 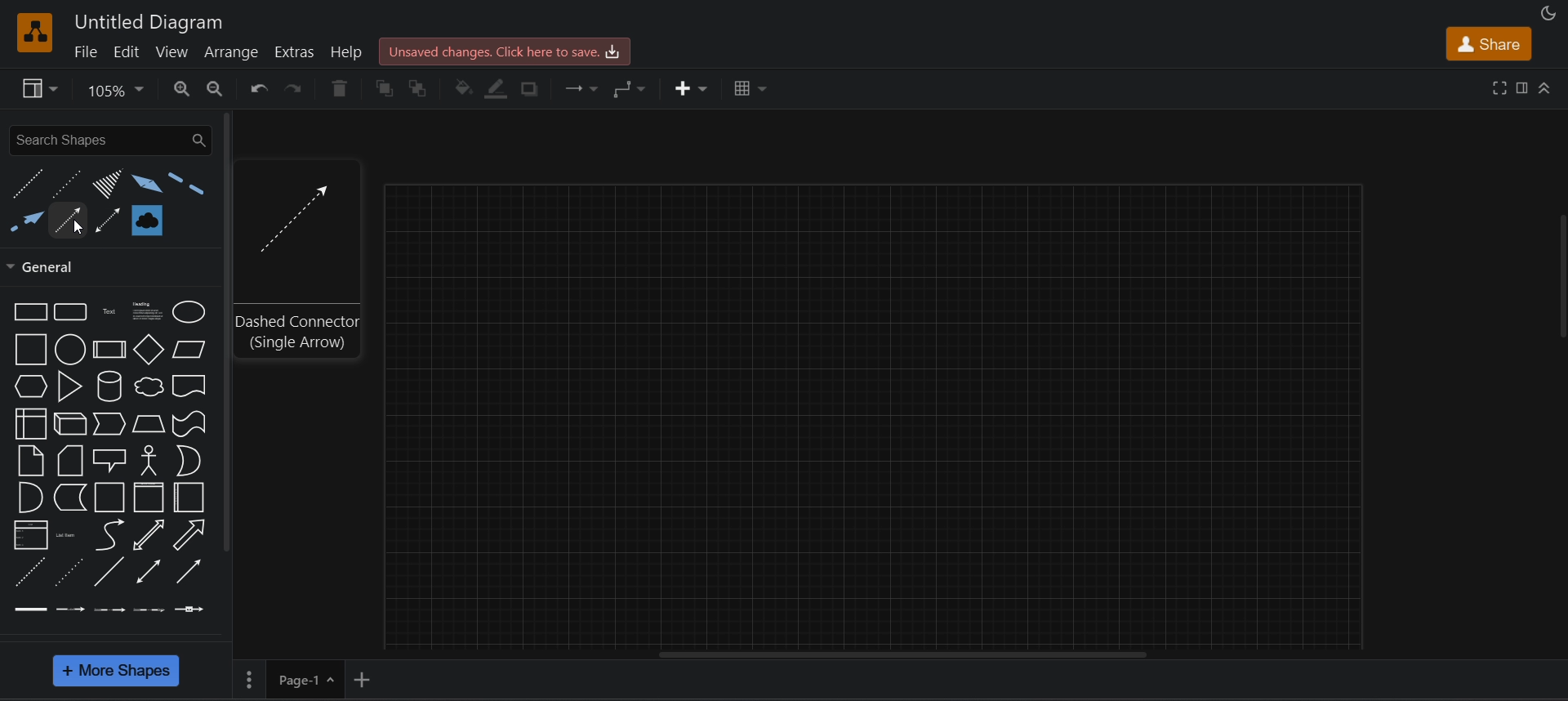 I want to click on dashed arrow head, so click(x=25, y=225).